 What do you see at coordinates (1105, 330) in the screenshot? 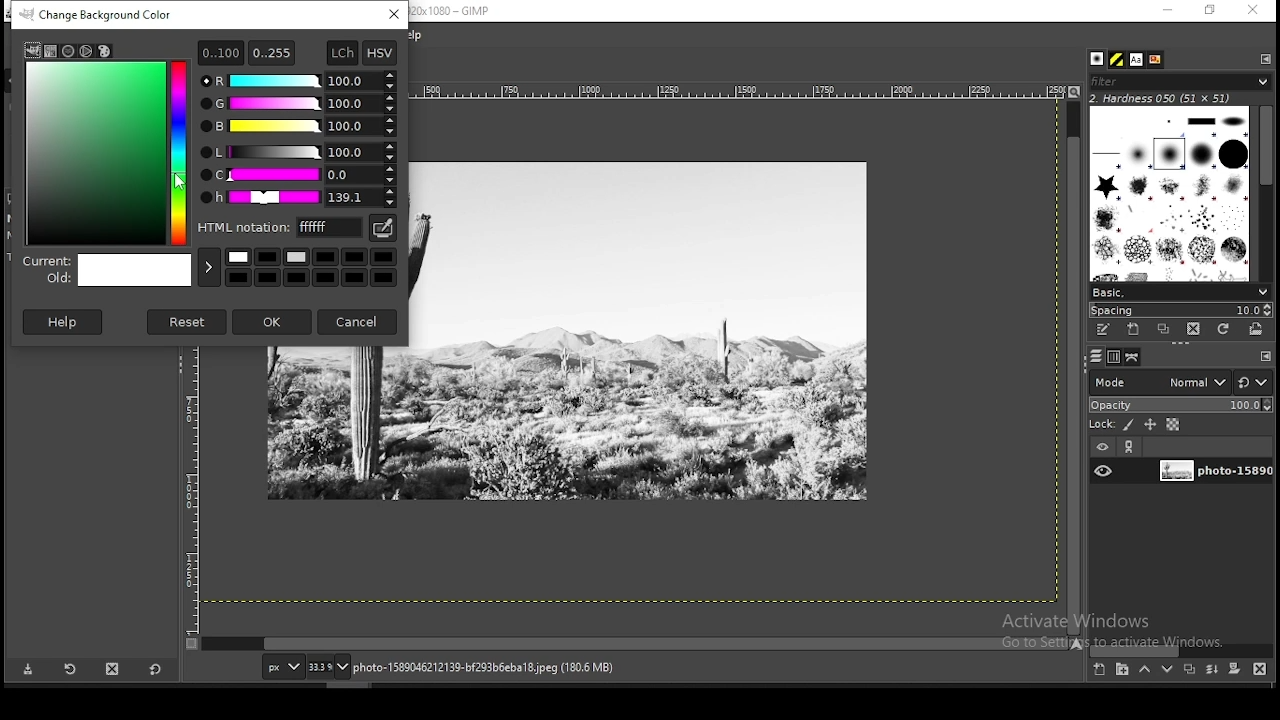
I see `edit brush` at bounding box center [1105, 330].